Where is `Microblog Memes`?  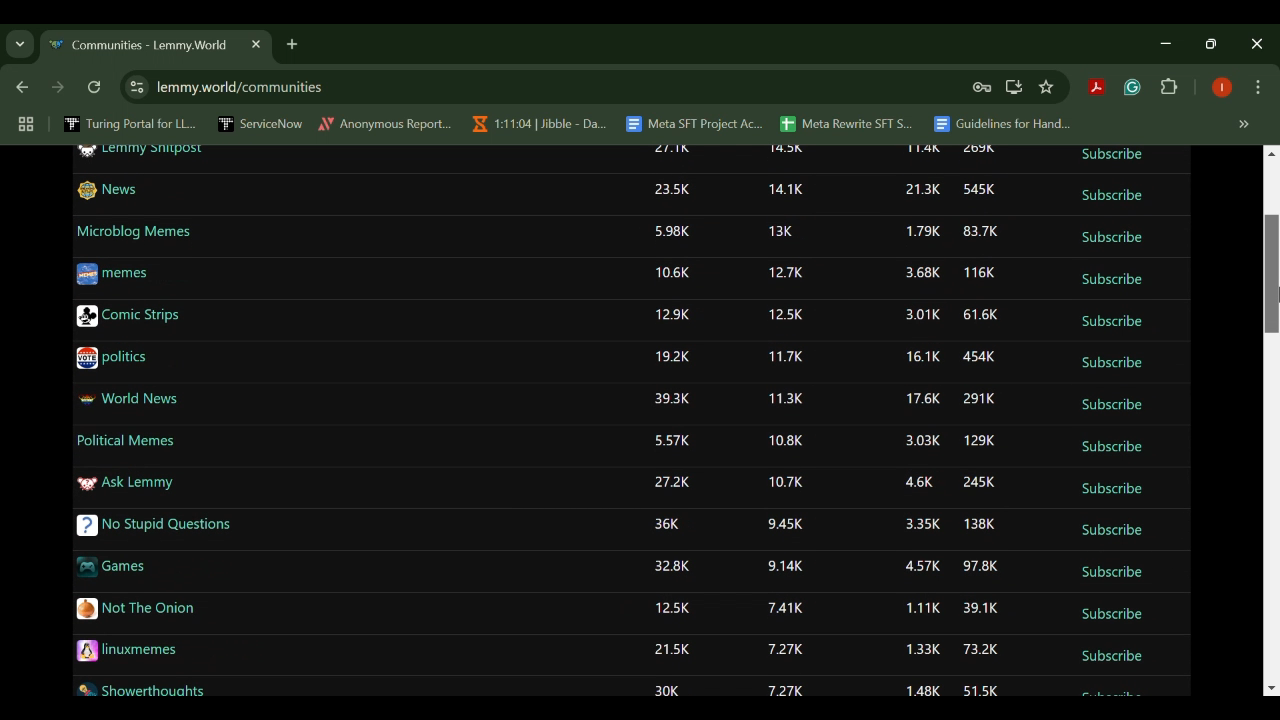
Microblog Memes is located at coordinates (135, 232).